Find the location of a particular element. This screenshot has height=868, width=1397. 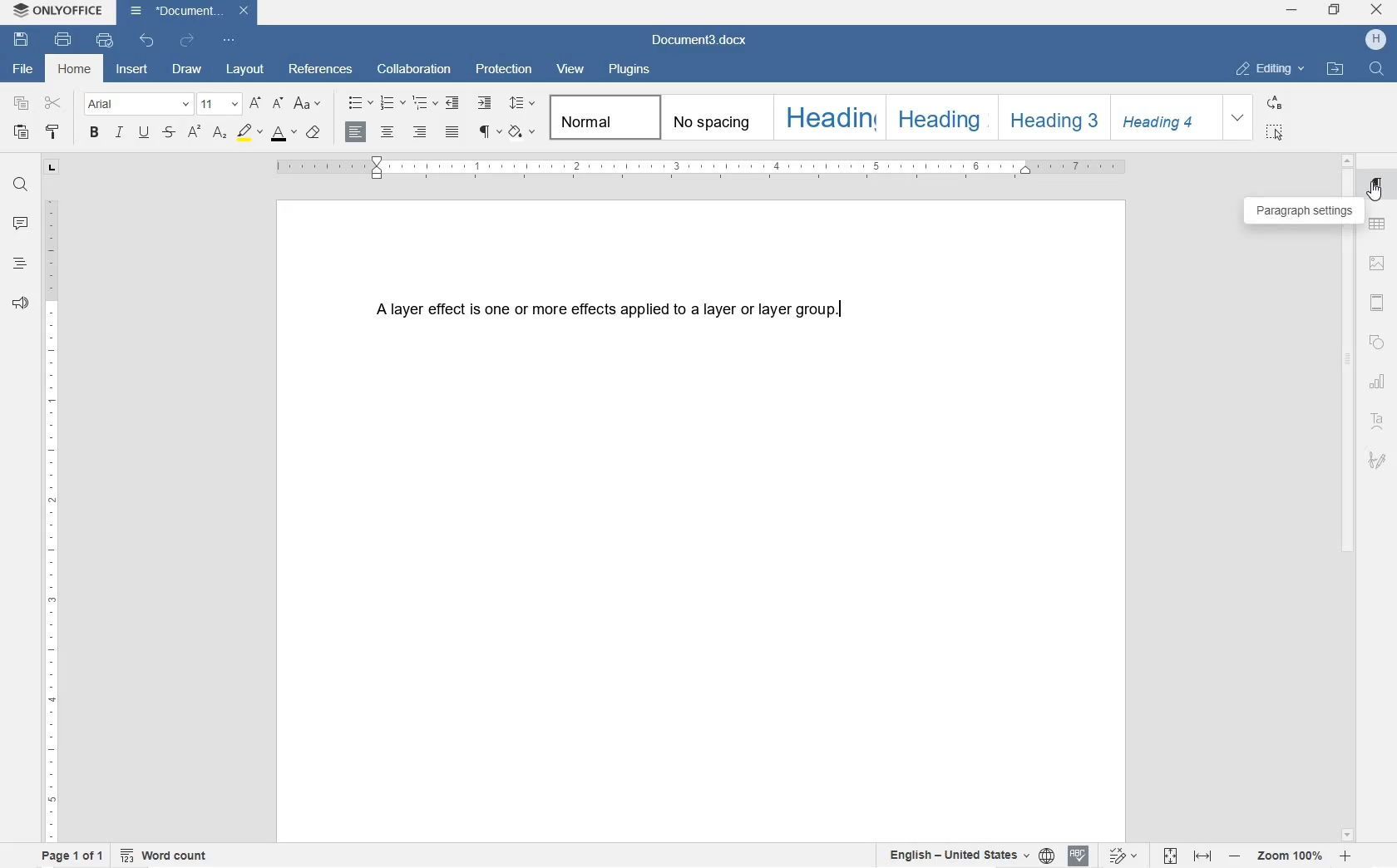

MINIMIZE is located at coordinates (1291, 11).